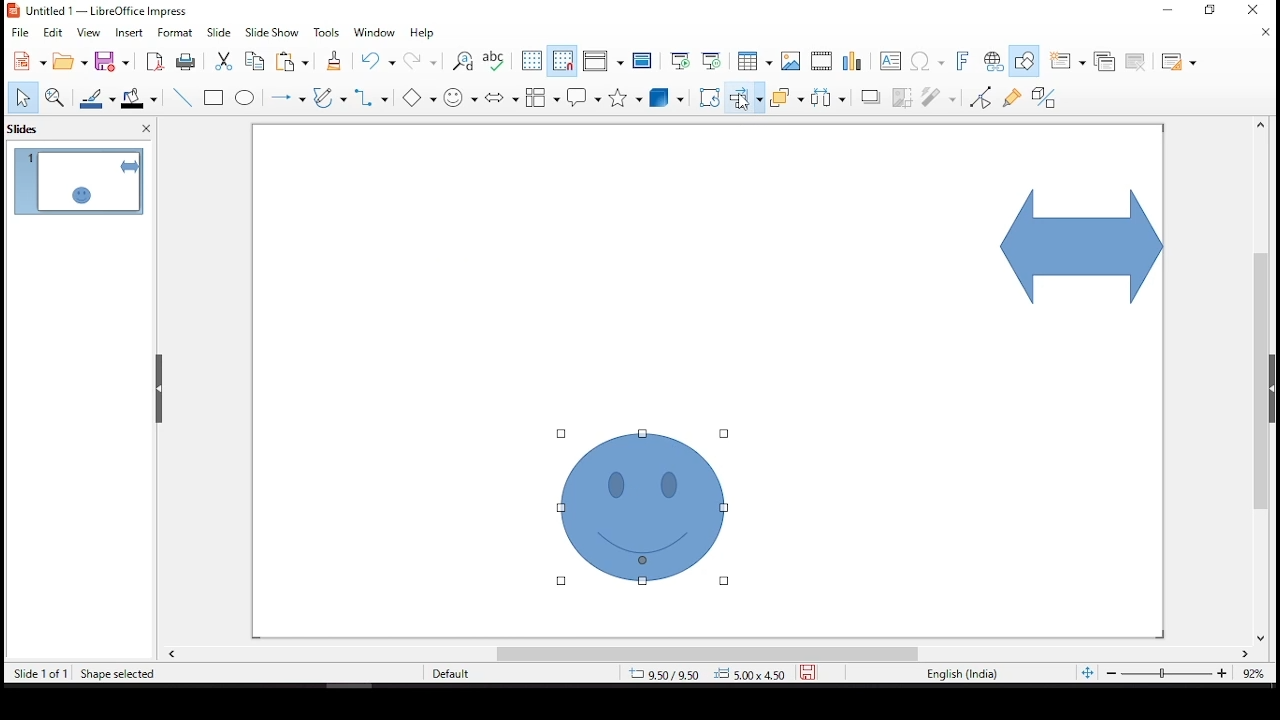 The image size is (1280, 720). What do you see at coordinates (1025, 59) in the screenshot?
I see `show draw functions` at bounding box center [1025, 59].